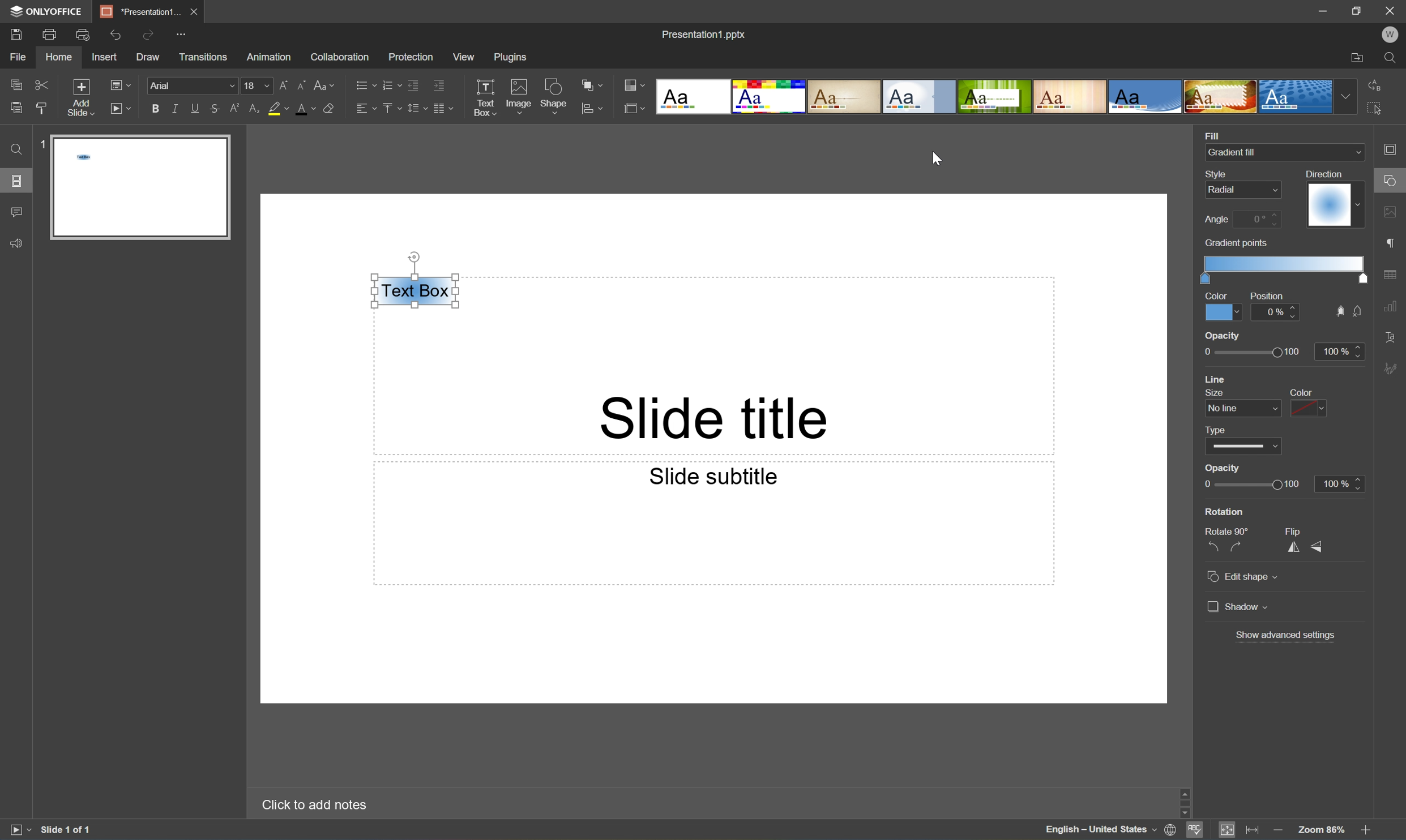 Image resolution: width=1406 pixels, height=840 pixels. Describe the element at coordinates (439, 85) in the screenshot. I see `Increase indent` at that location.